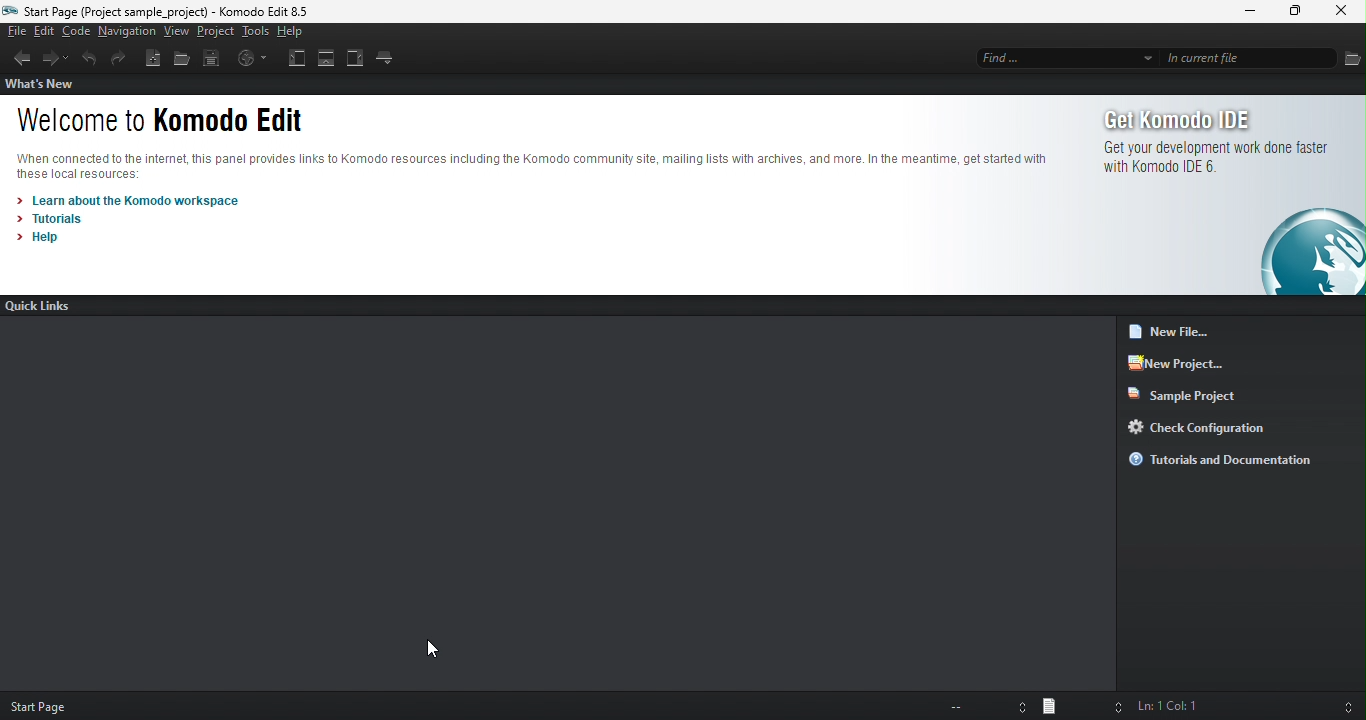 The width and height of the screenshot is (1366, 720). Describe the element at coordinates (90, 57) in the screenshot. I see `undo` at that location.